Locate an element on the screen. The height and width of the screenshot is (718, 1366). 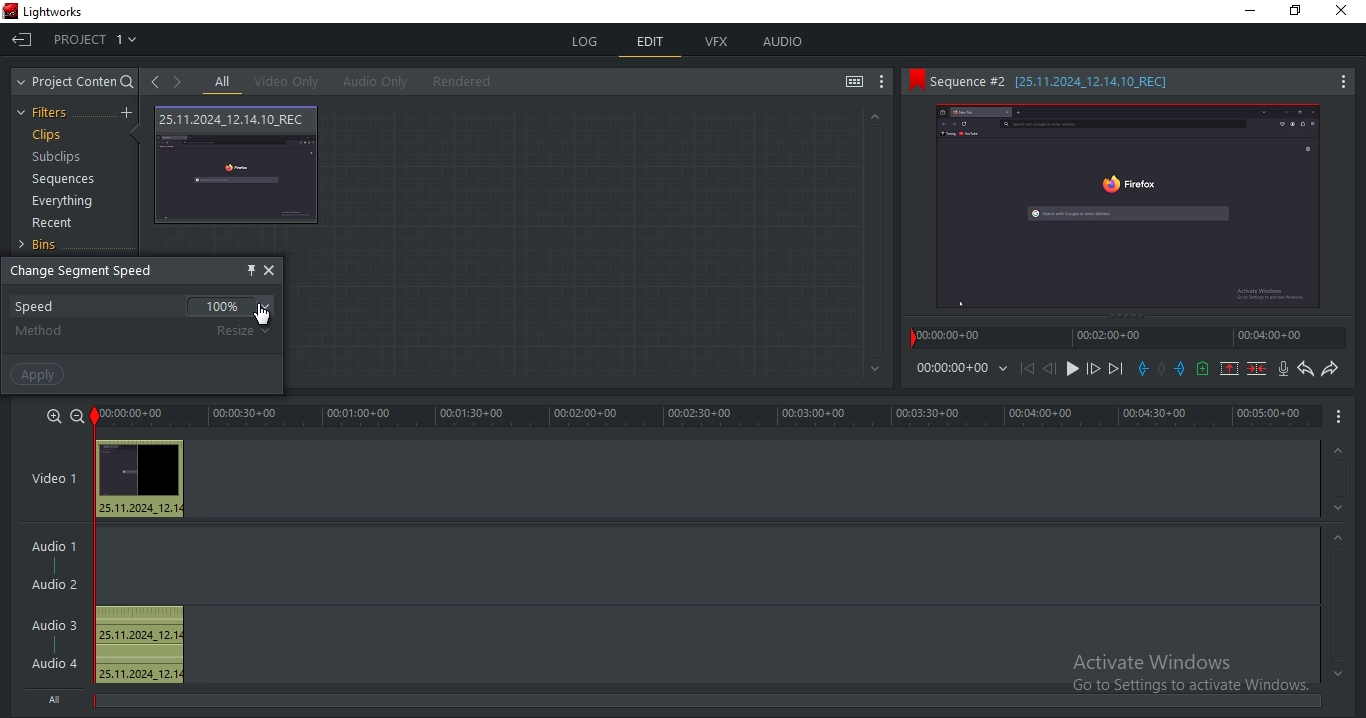
app title is located at coordinates (47, 13).